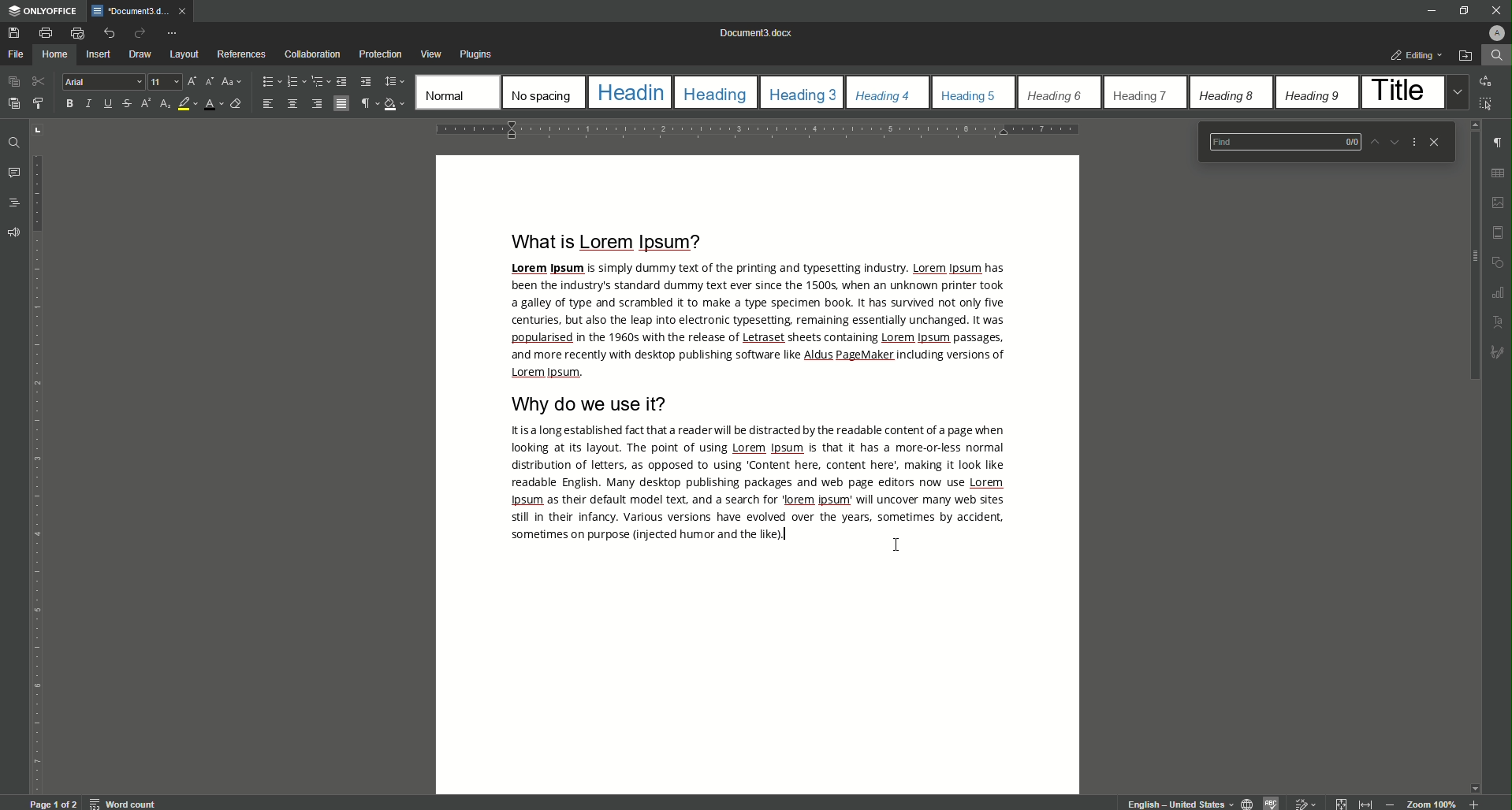 The width and height of the screenshot is (1512, 810). Describe the element at coordinates (1425, 10) in the screenshot. I see `Minimize` at that location.